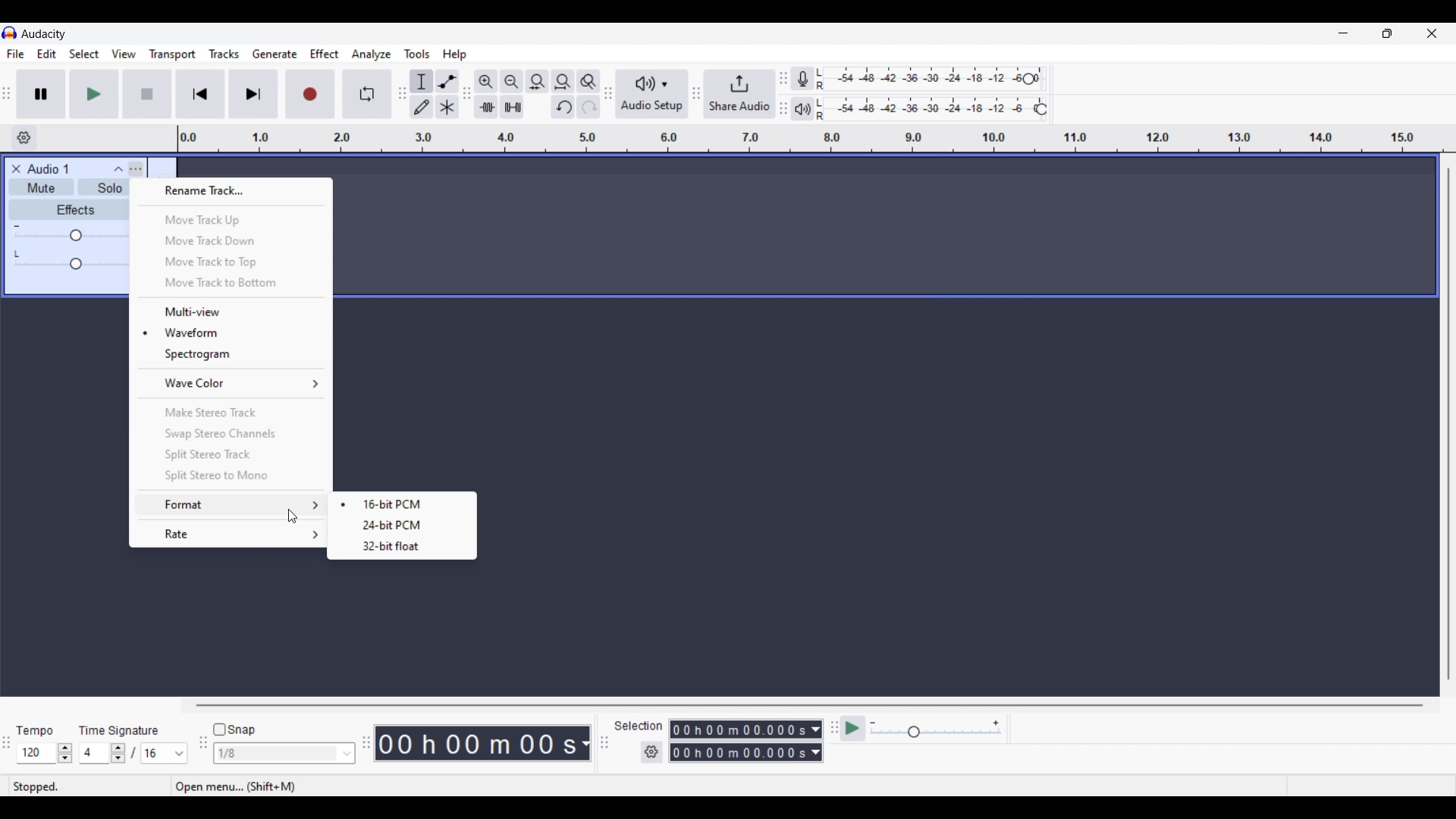 Image resolution: width=1456 pixels, height=819 pixels. I want to click on Undo, so click(563, 107).